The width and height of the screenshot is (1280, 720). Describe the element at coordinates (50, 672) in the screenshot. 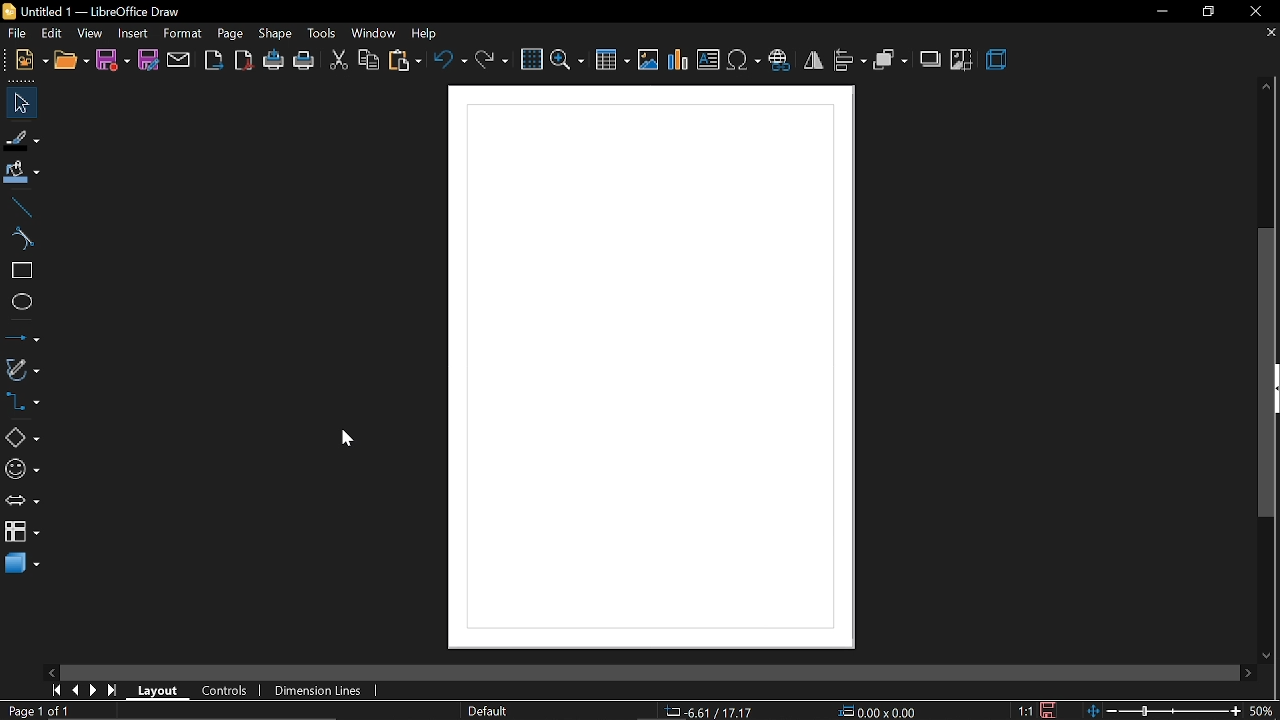

I see `move left` at that location.